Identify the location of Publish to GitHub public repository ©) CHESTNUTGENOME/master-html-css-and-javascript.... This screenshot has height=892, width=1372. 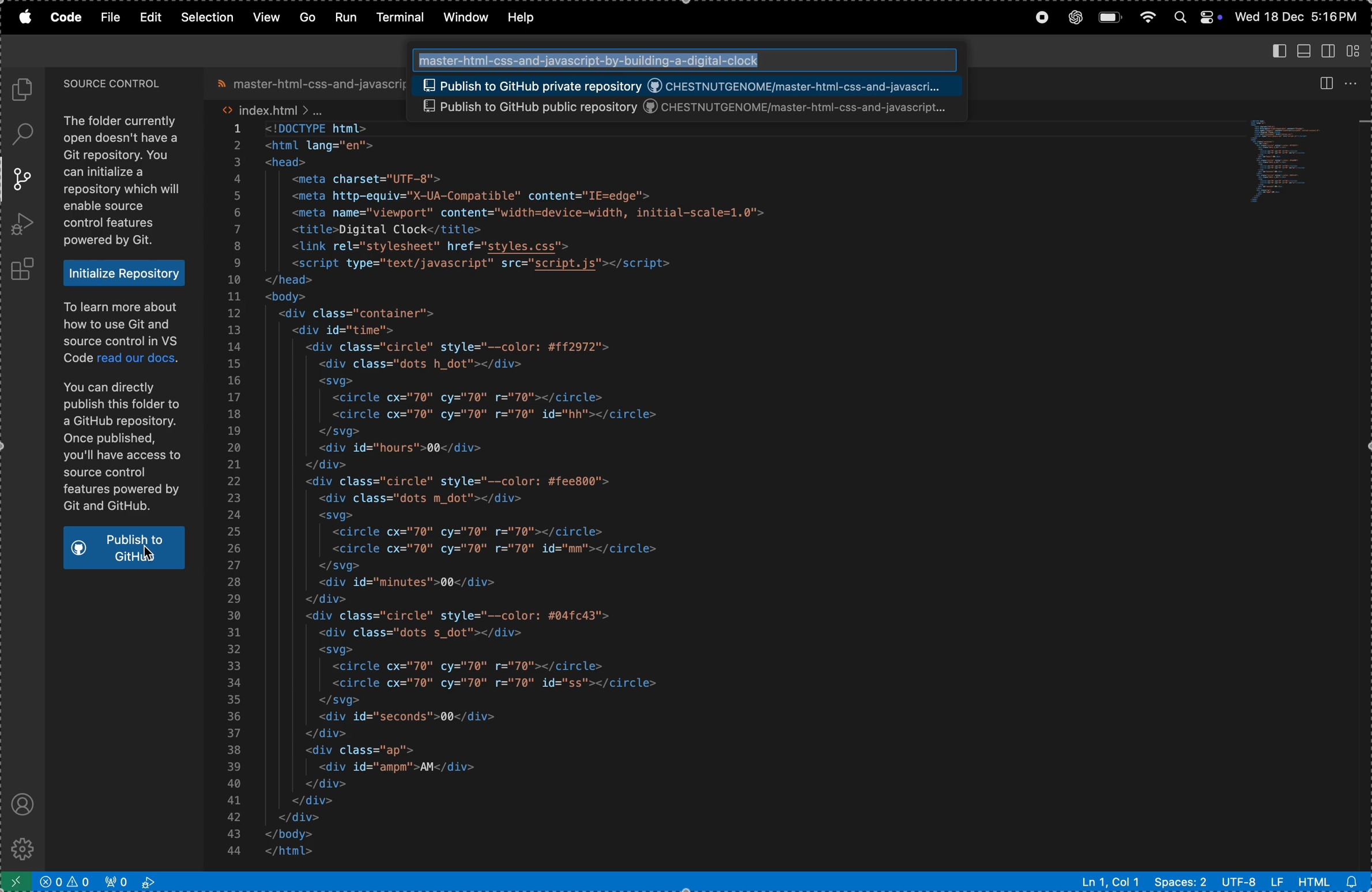
(682, 107).